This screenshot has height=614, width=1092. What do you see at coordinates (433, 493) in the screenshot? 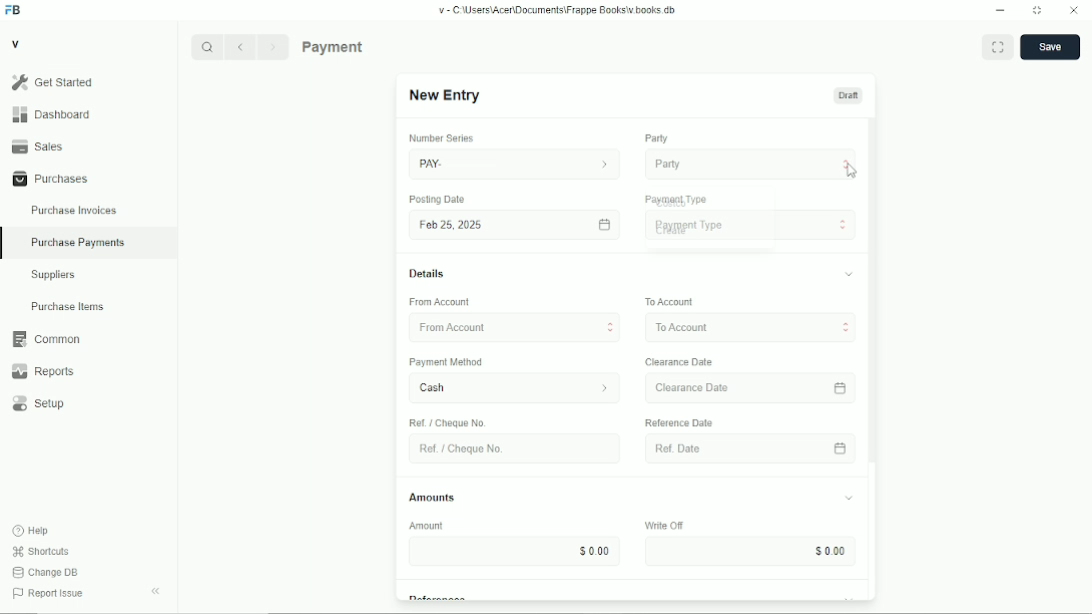
I see `Amounts` at bounding box center [433, 493].